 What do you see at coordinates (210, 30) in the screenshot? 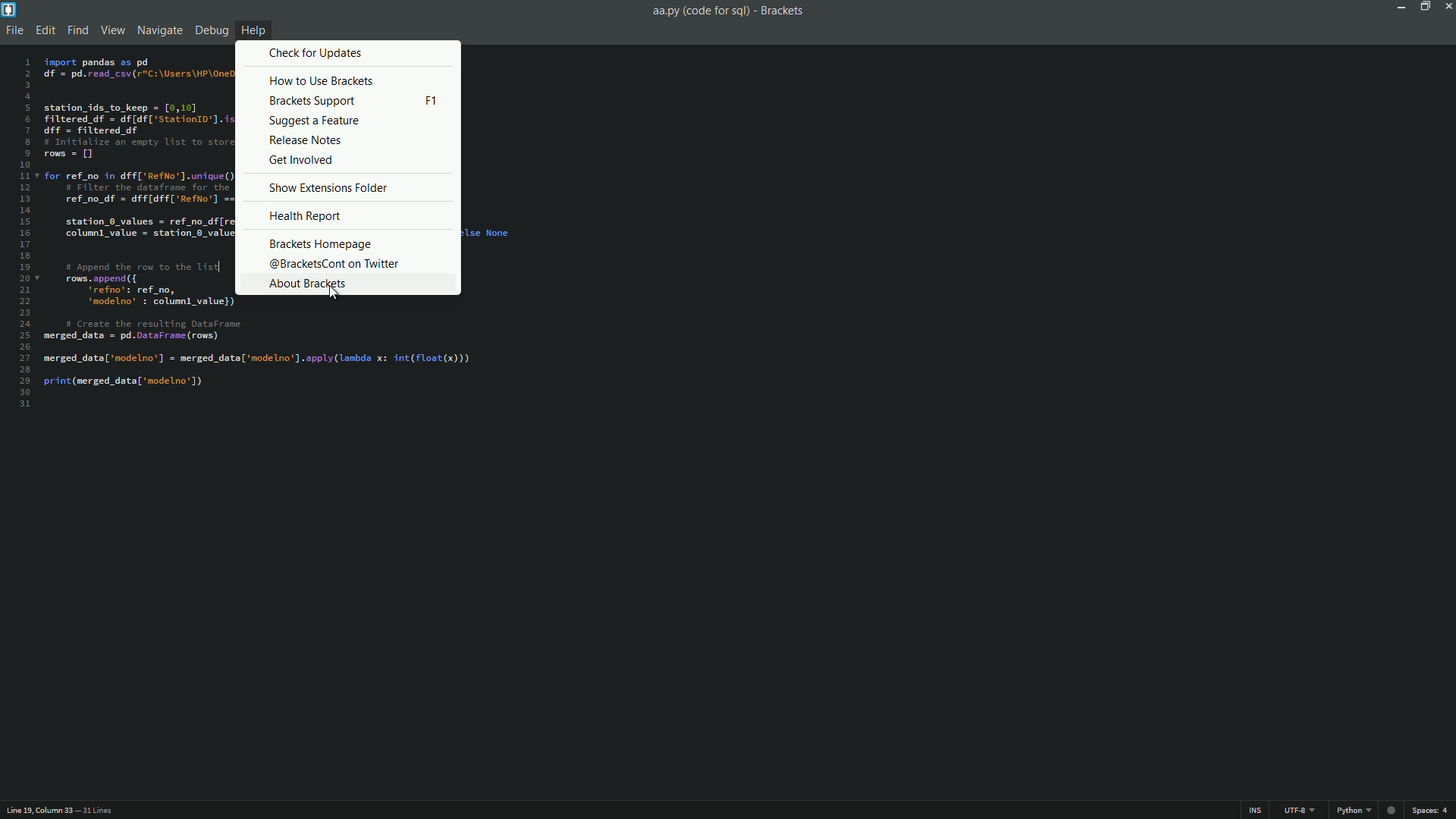
I see `debug menu` at bounding box center [210, 30].